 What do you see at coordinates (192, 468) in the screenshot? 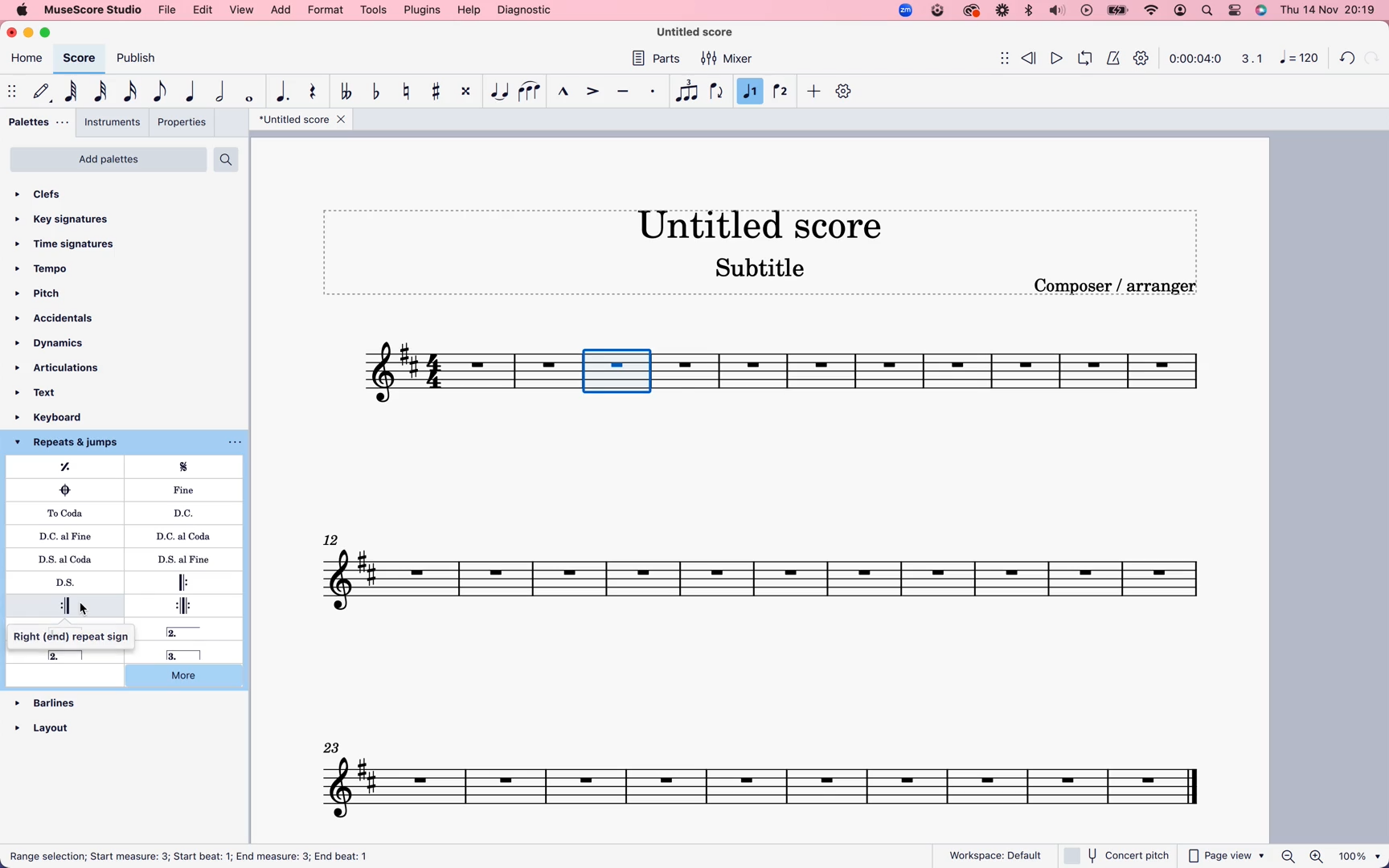
I see `segno` at bounding box center [192, 468].